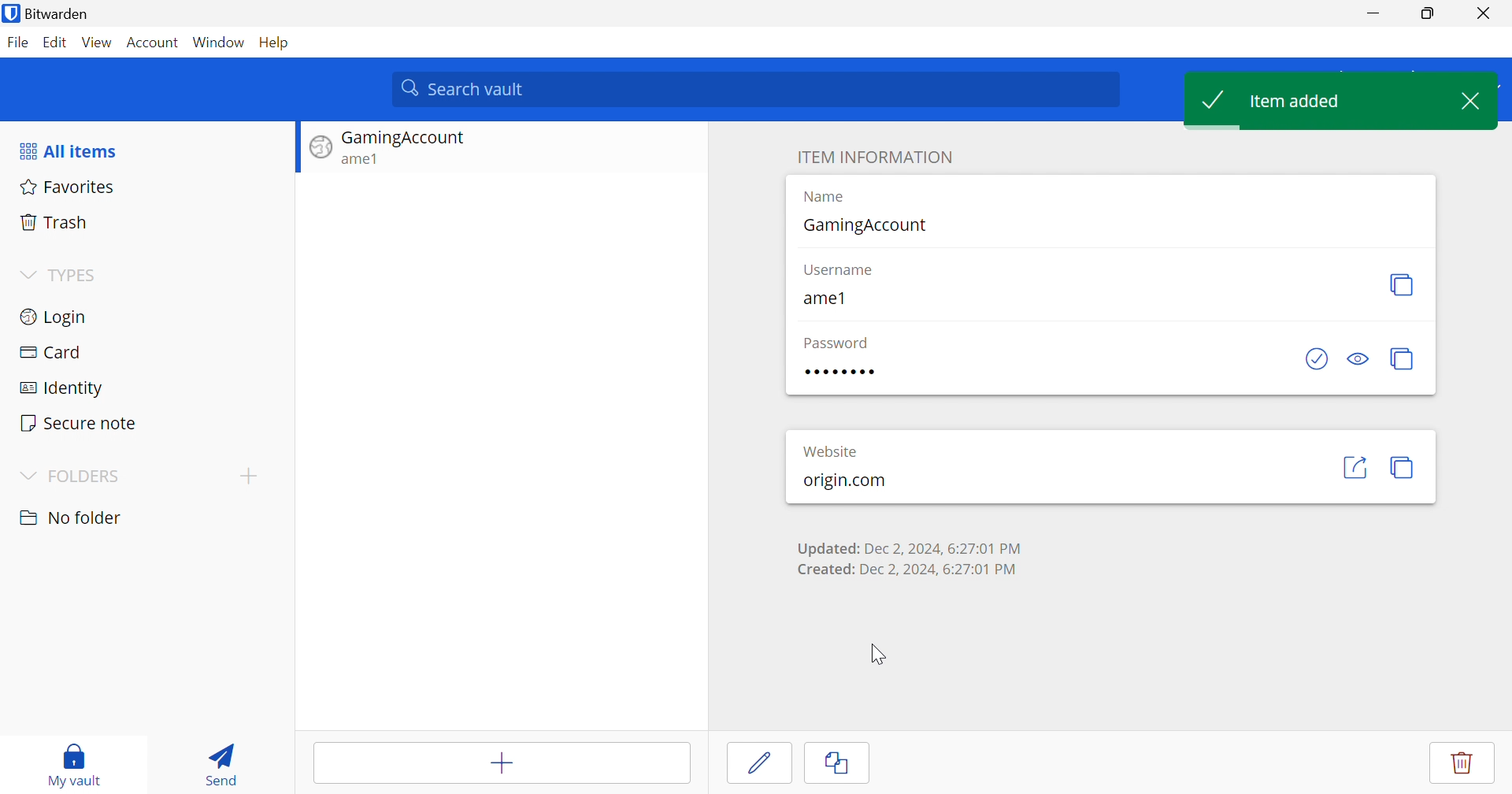 The height and width of the screenshot is (794, 1512). I want to click on Username, so click(839, 269).